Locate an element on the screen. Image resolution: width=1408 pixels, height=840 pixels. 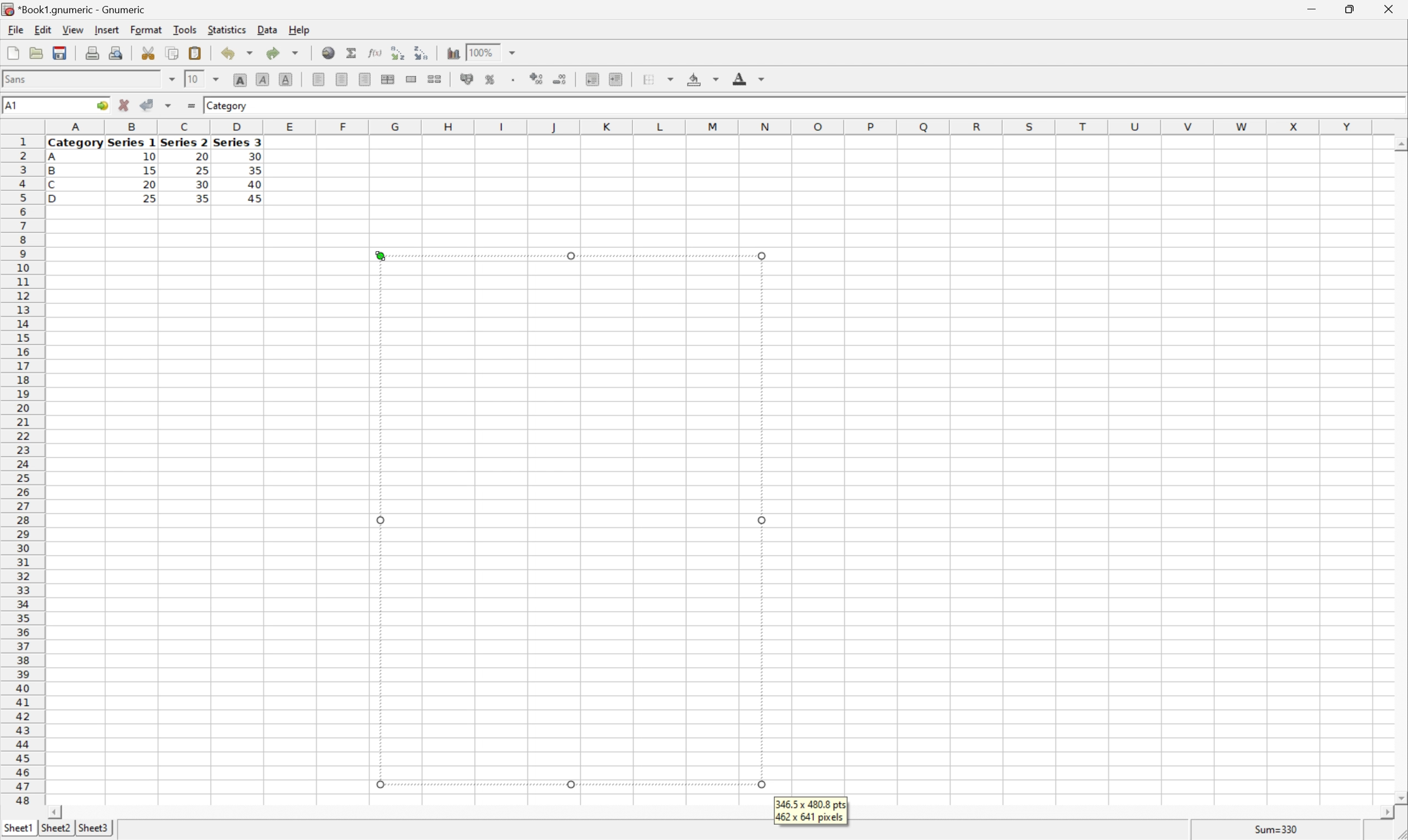
10 is located at coordinates (194, 79).